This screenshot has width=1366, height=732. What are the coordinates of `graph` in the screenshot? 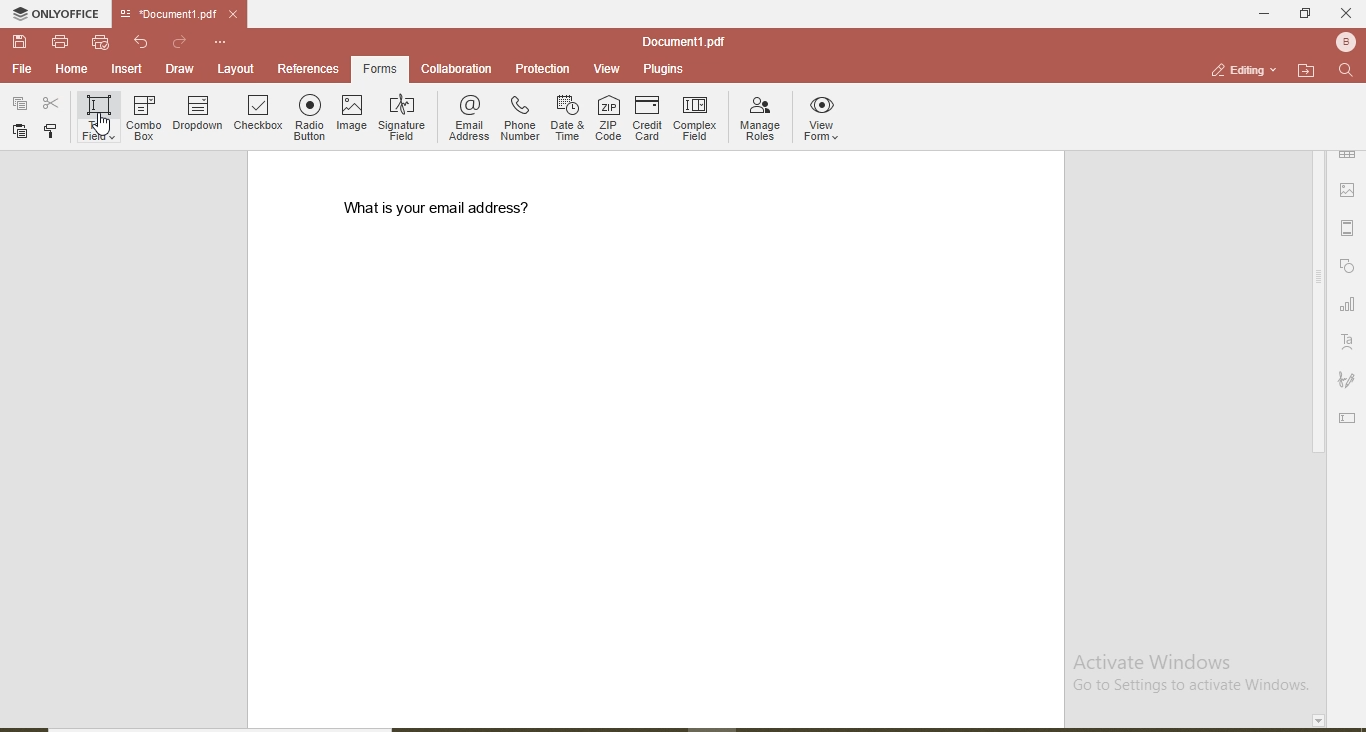 It's located at (1347, 306).